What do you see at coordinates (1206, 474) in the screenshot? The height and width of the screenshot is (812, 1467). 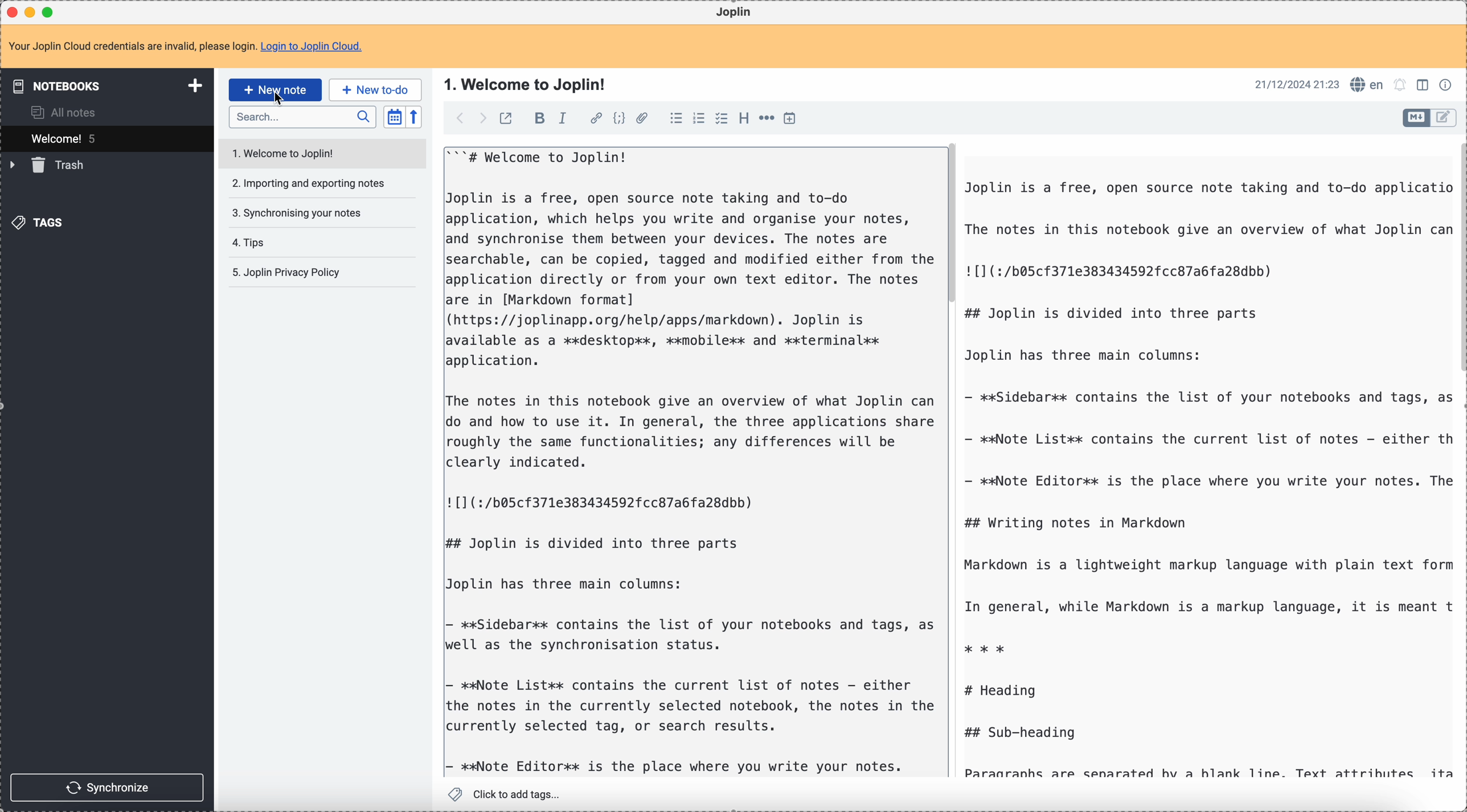 I see `body text` at bounding box center [1206, 474].